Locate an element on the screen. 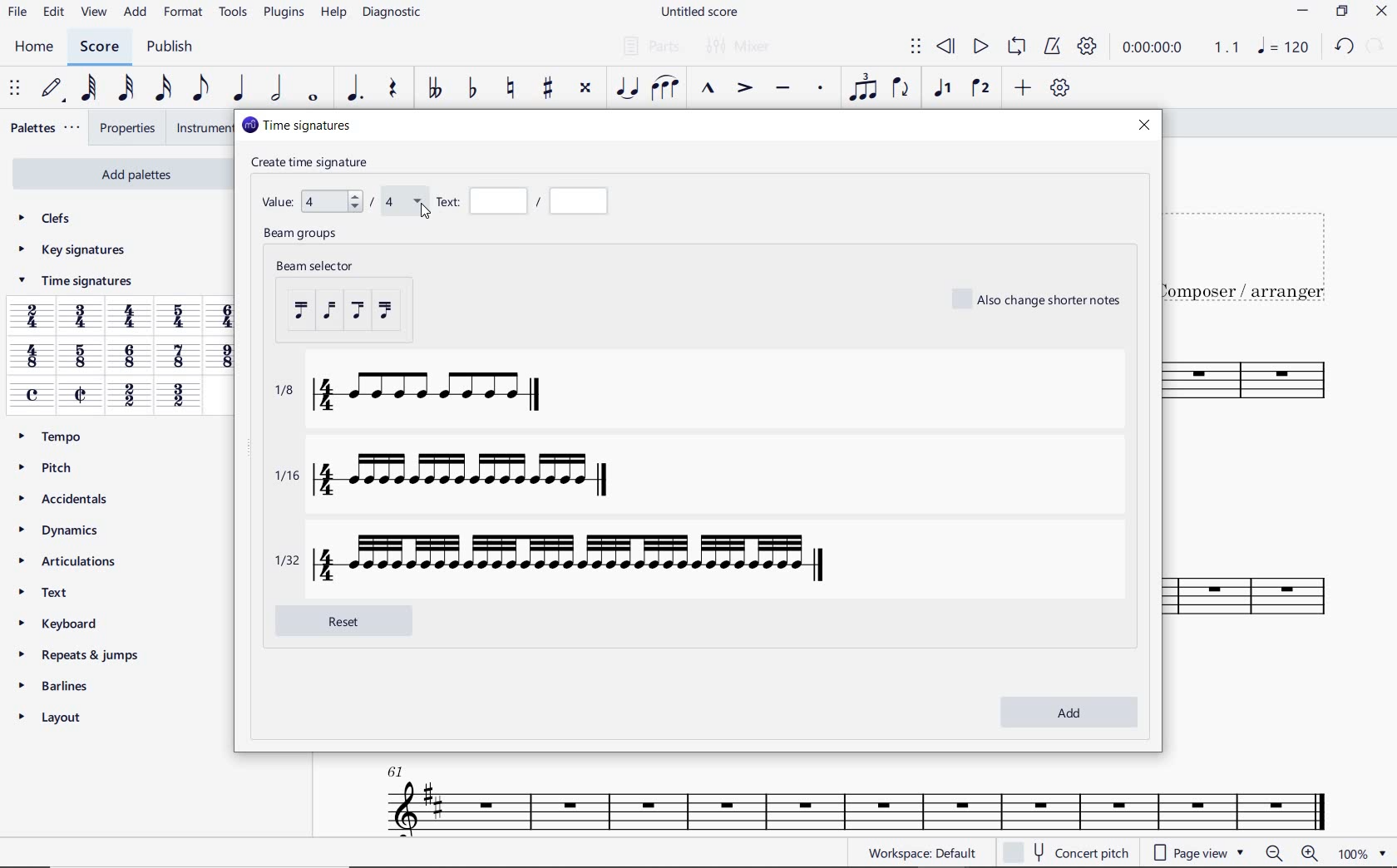 The image size is (1397, 868). SELECET TO MOVE is located at coordinates (17, 90).